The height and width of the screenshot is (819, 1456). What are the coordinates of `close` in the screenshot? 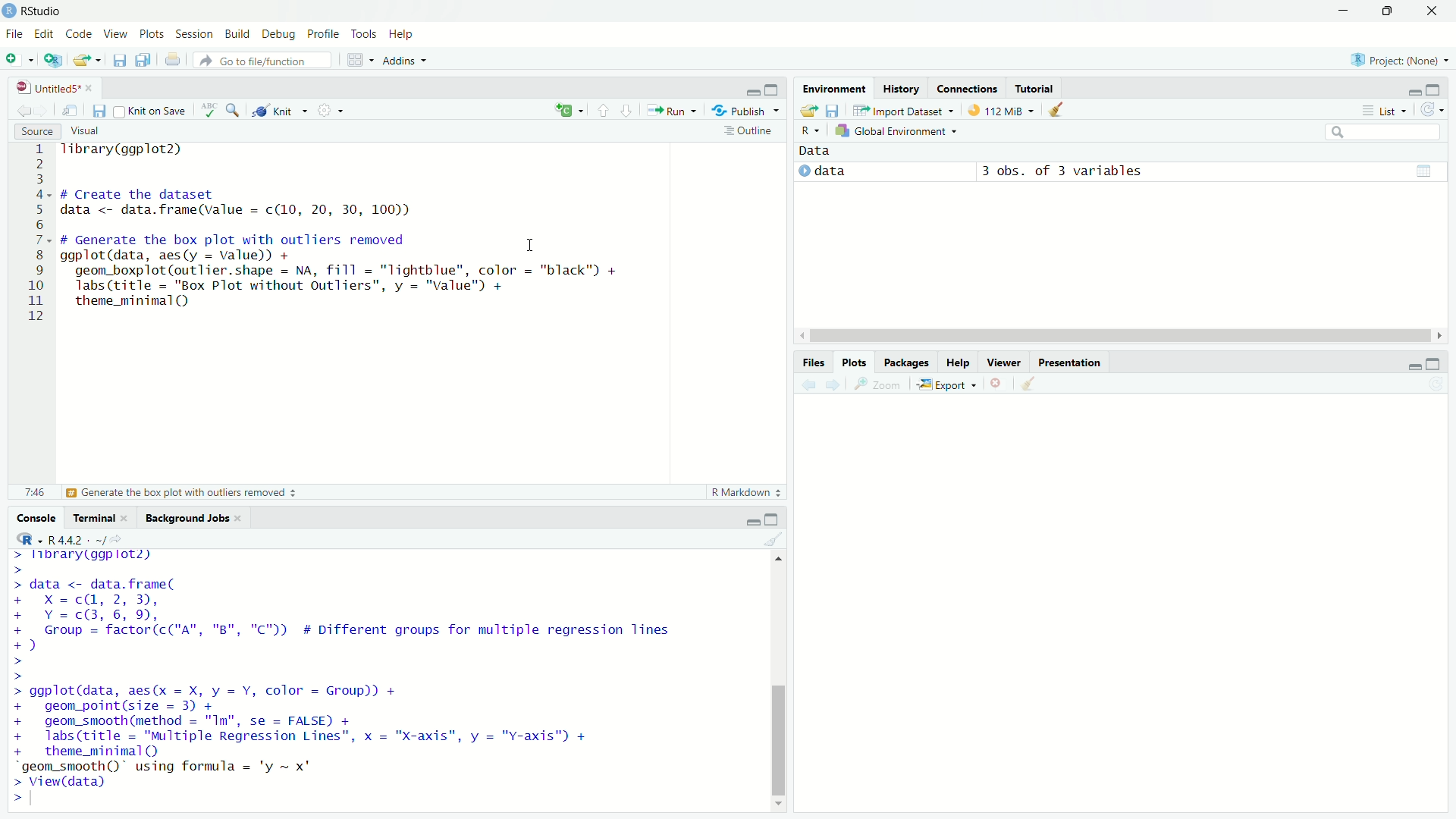 It's located at (1437, 13).